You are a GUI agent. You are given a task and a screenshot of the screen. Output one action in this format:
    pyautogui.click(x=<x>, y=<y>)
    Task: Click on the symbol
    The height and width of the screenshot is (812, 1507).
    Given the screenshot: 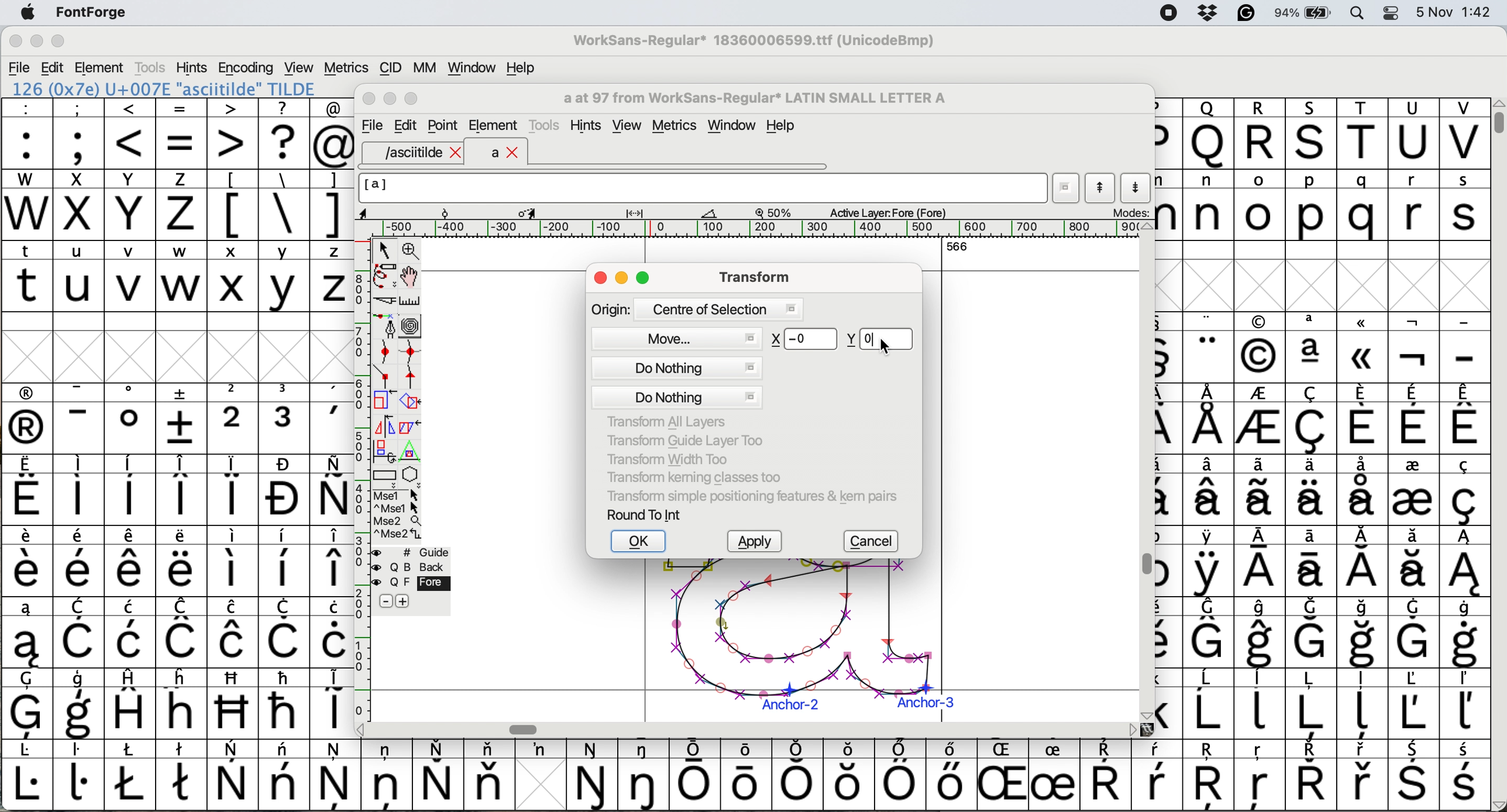 What is the action you would take?
    pyautogui.click(x=132, y=562)
    